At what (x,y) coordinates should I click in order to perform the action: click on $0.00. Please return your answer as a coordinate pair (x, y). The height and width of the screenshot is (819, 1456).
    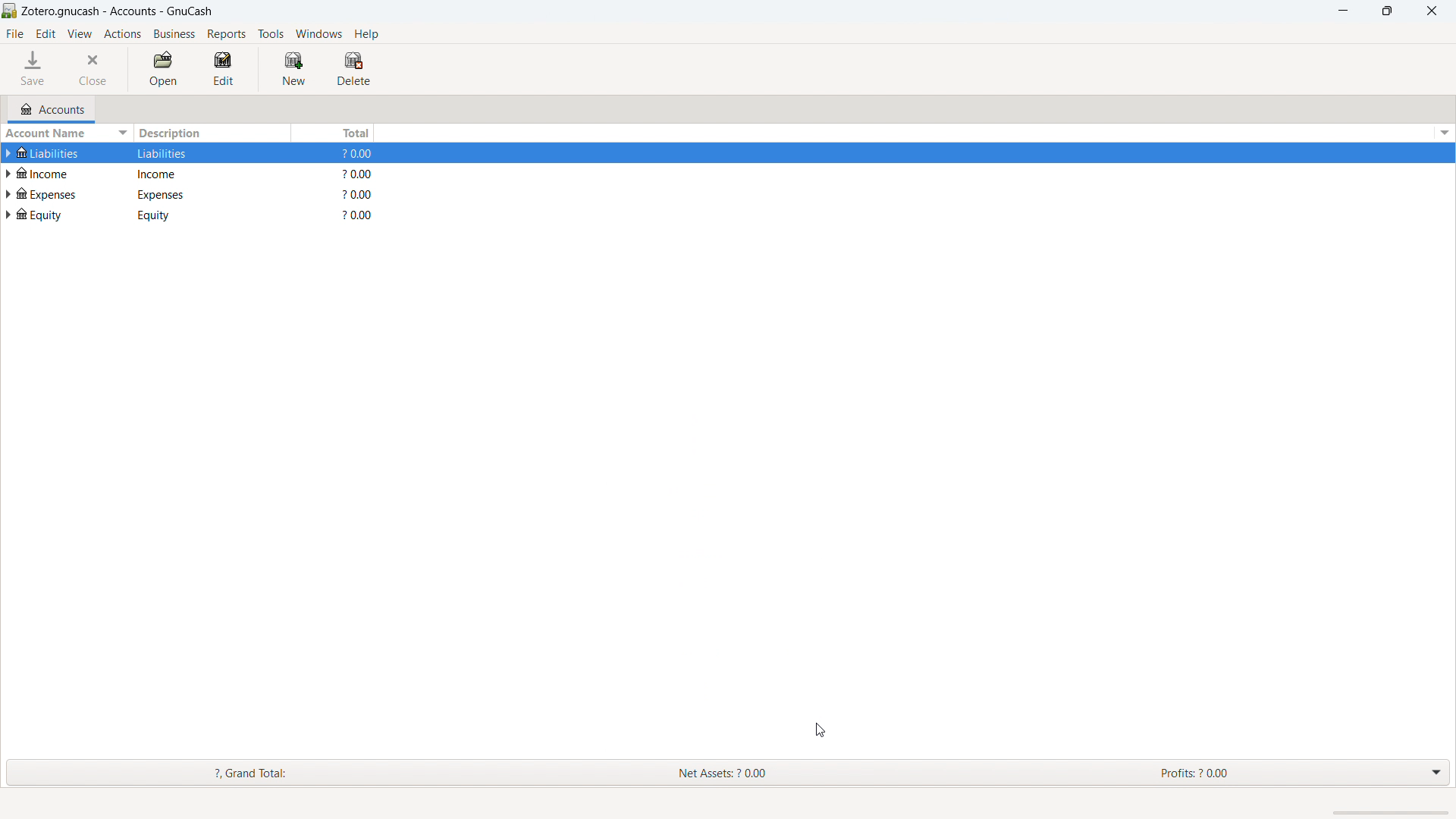
    Looking at the image, I should click on (359, 155).